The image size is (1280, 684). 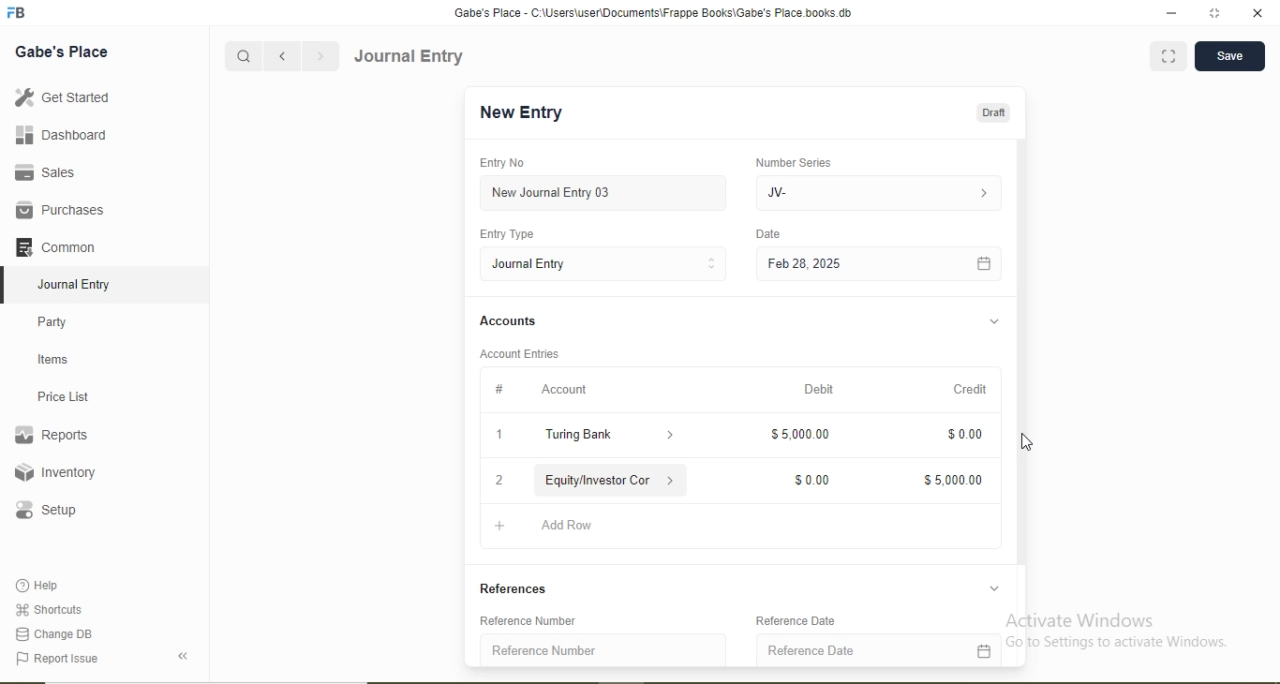 I want to click on Calendar, so click(x=984, y=265).